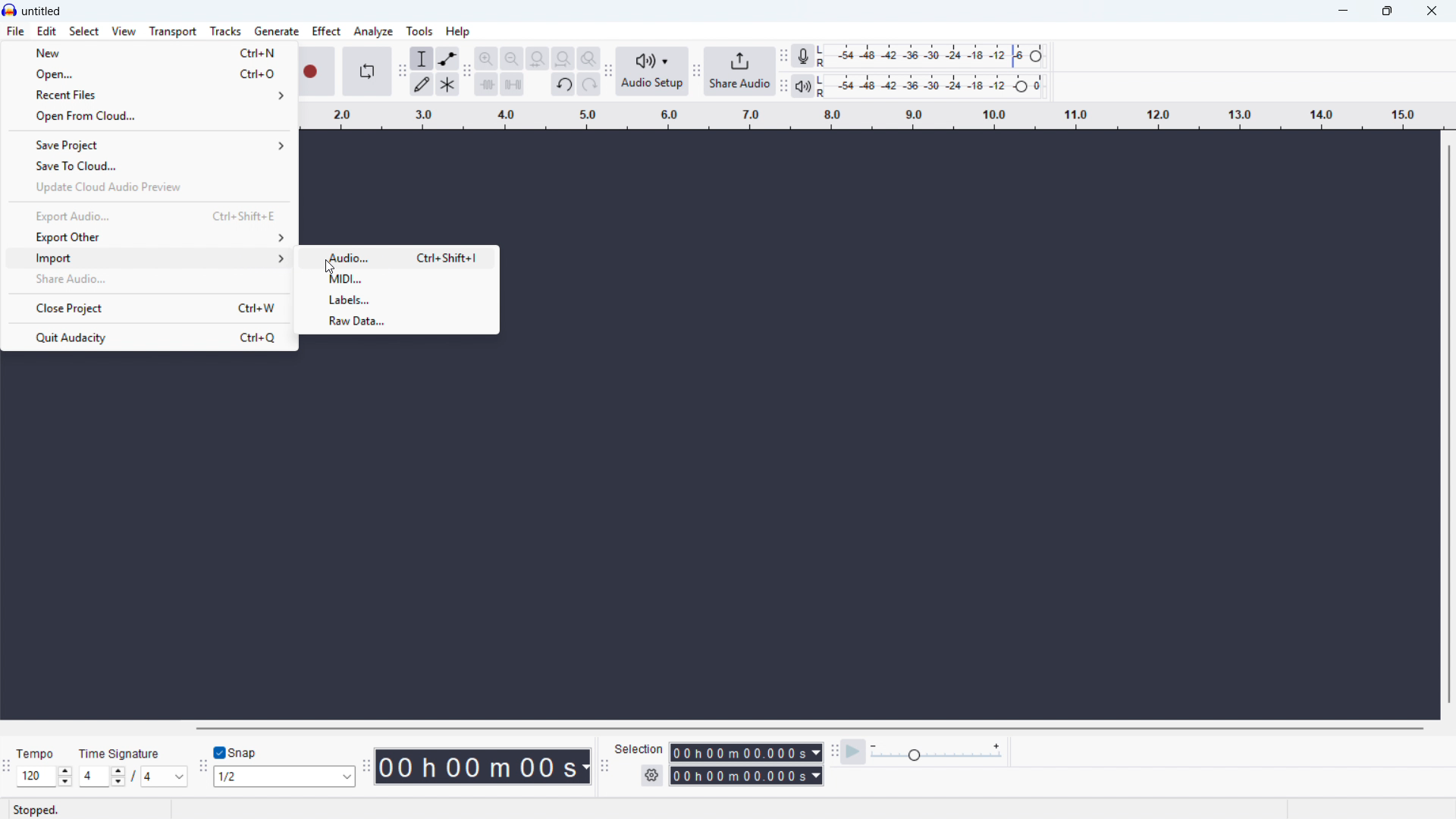 This screenshot has width=1456, height=819. I want to click on Timestamp , so click(485, 767).